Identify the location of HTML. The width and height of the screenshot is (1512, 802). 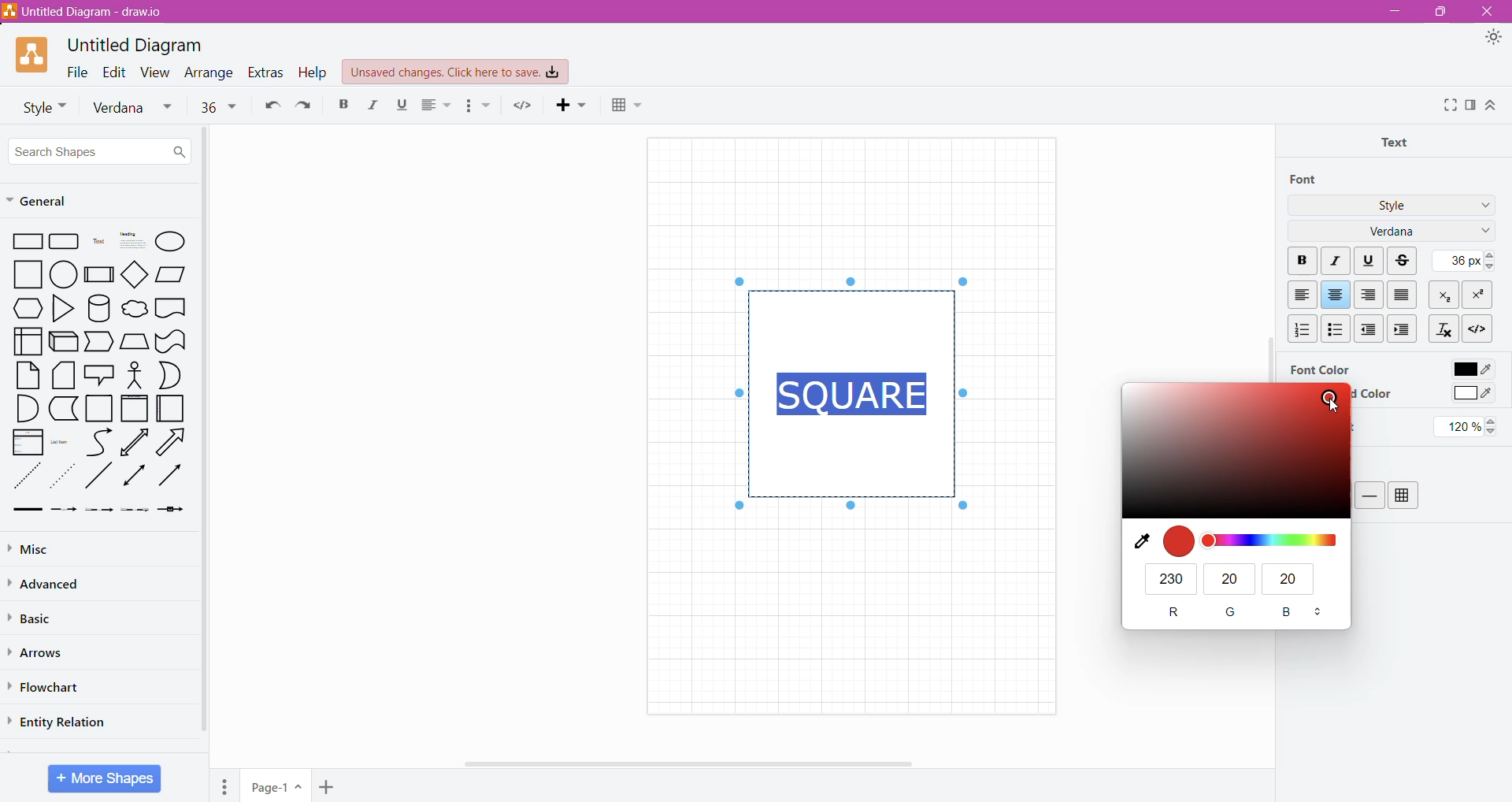
(1476, 327).